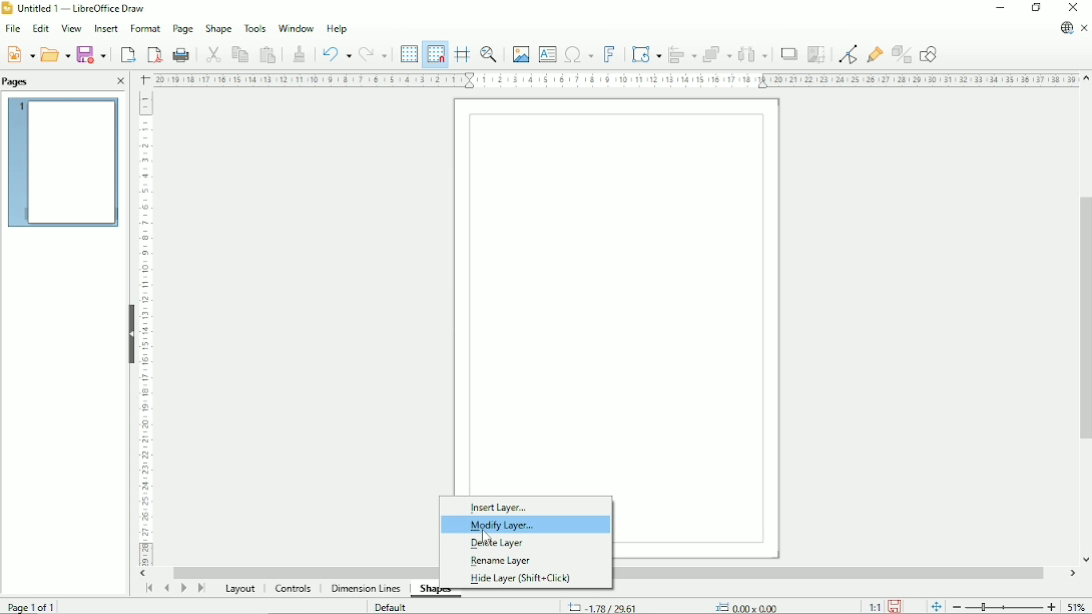 Image resolution: width=1092 pixels, height=614 pixels. I want to click on Align objects, so click(682, 53).